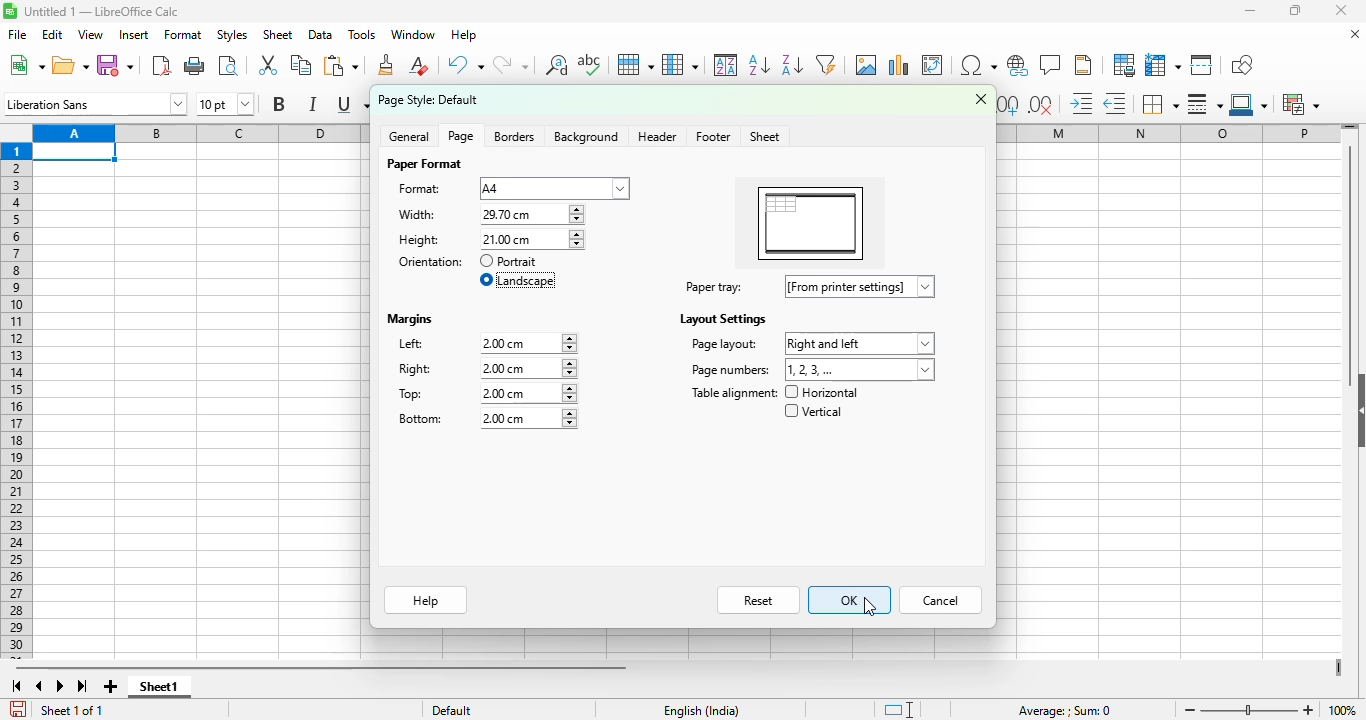 The image size is (1366, 720). I want to click on default, so click(452, 710).